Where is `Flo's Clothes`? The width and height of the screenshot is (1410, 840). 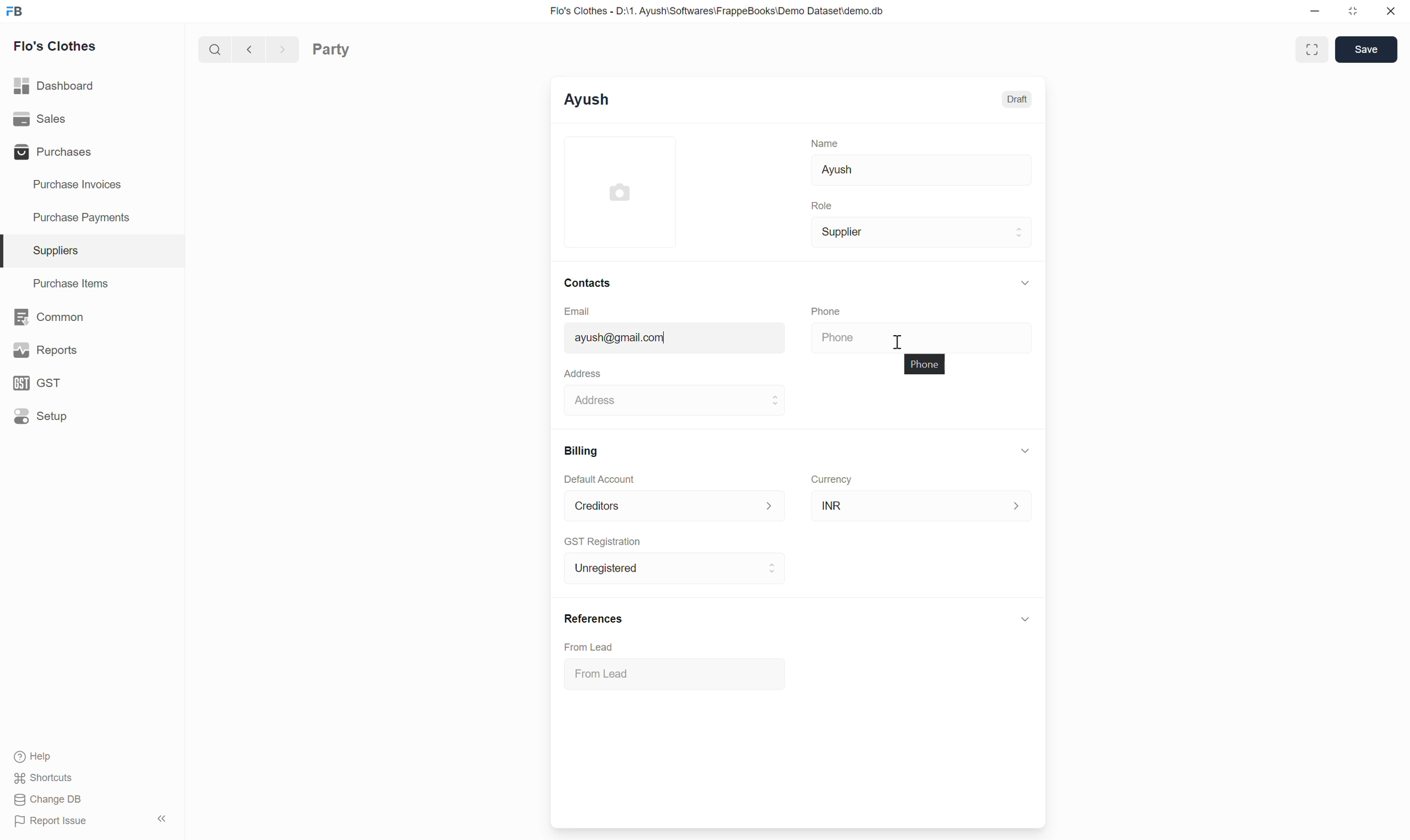
Flo's Clothes is located at coordinates (55, 45).